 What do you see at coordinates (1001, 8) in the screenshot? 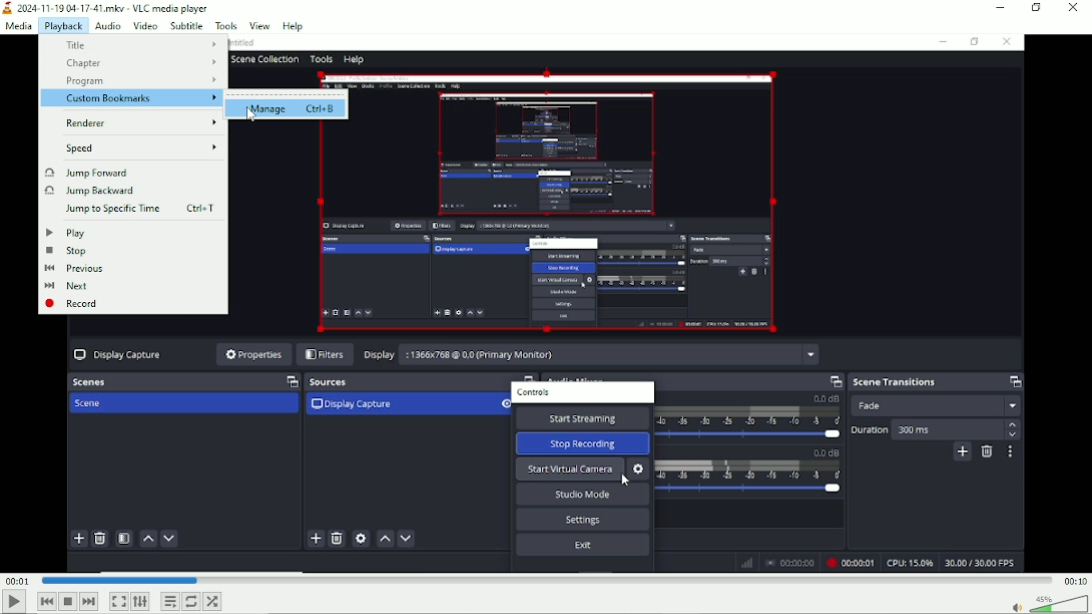
I see `Minimize` at bounding box center [1001, 8].